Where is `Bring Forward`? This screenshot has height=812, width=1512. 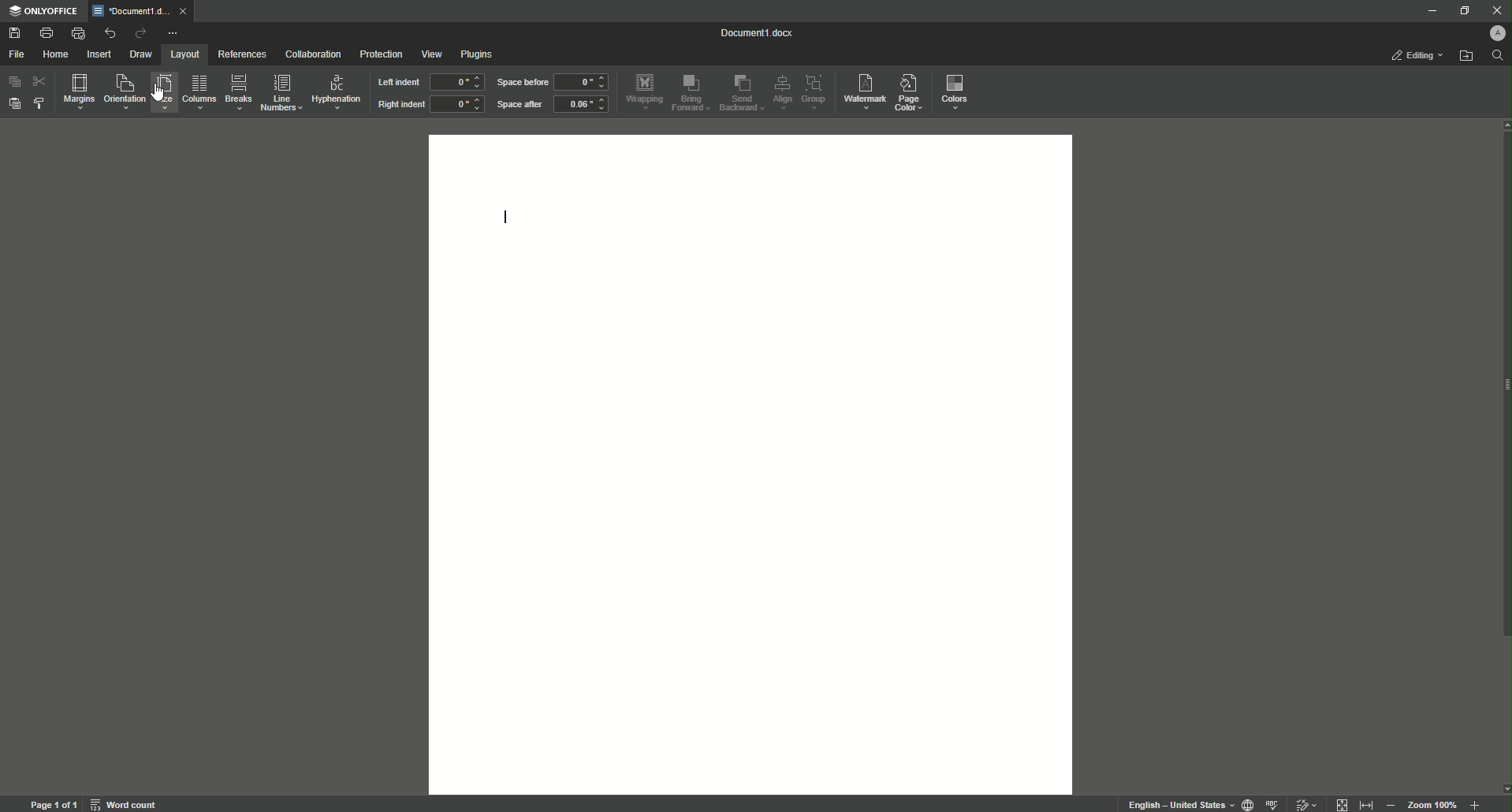 Bring Forward is located at coordinates (693, 93).